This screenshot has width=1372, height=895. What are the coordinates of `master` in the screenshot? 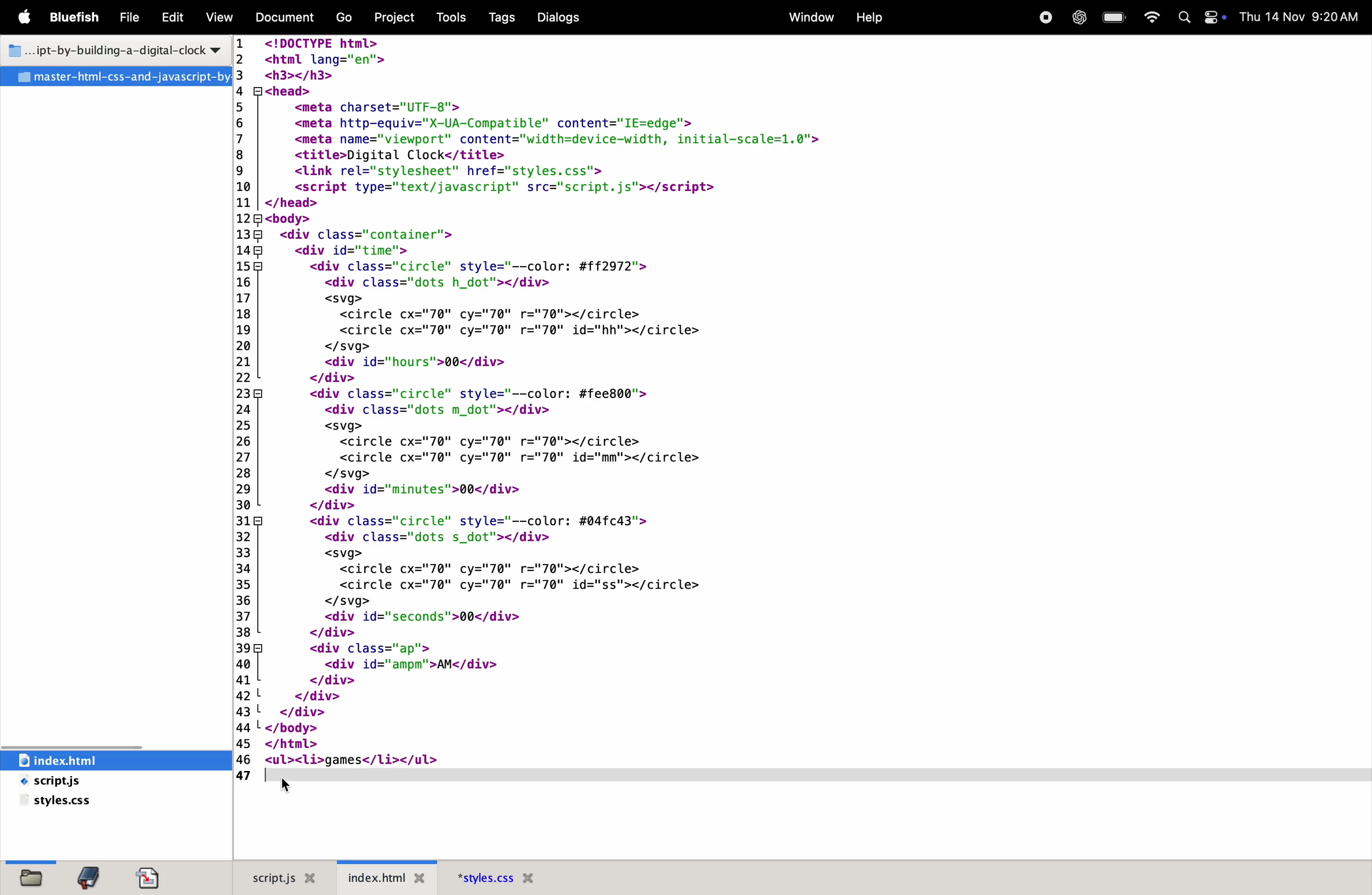 It's located at (115, 77).